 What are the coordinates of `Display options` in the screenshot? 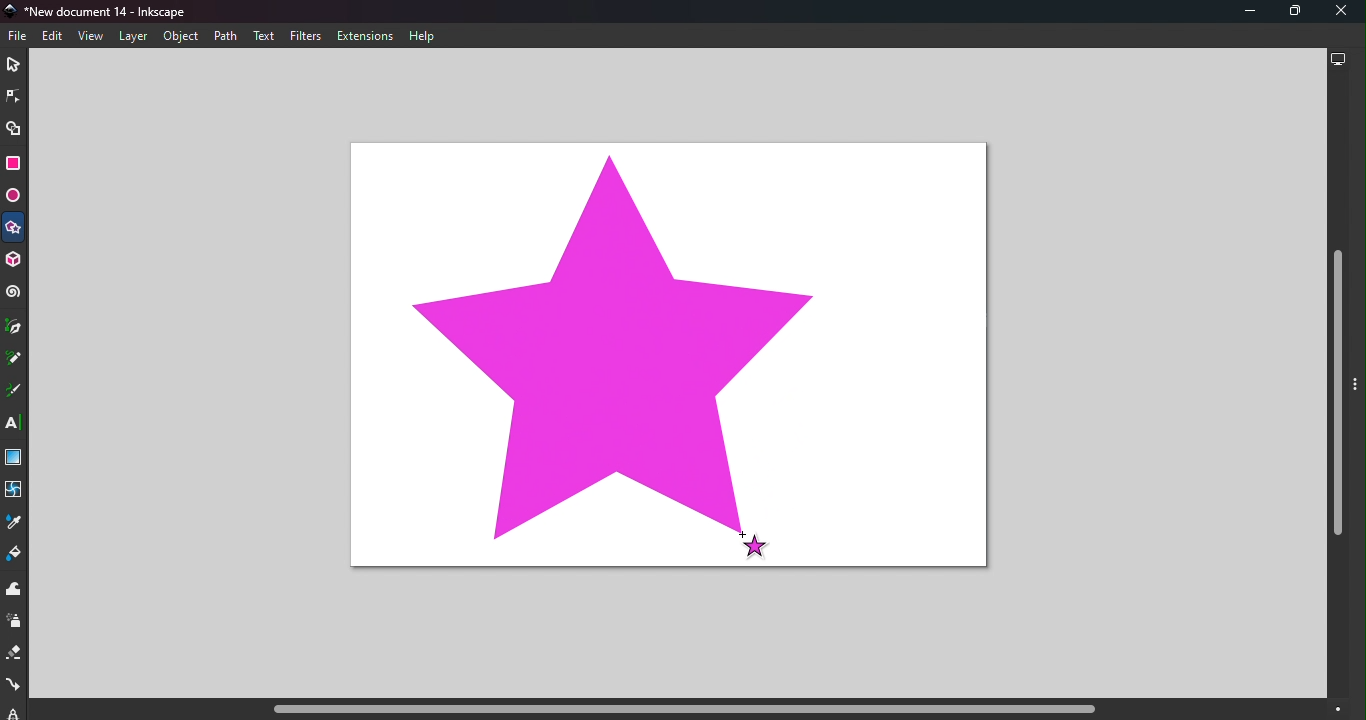 It's located at (1338, 62).